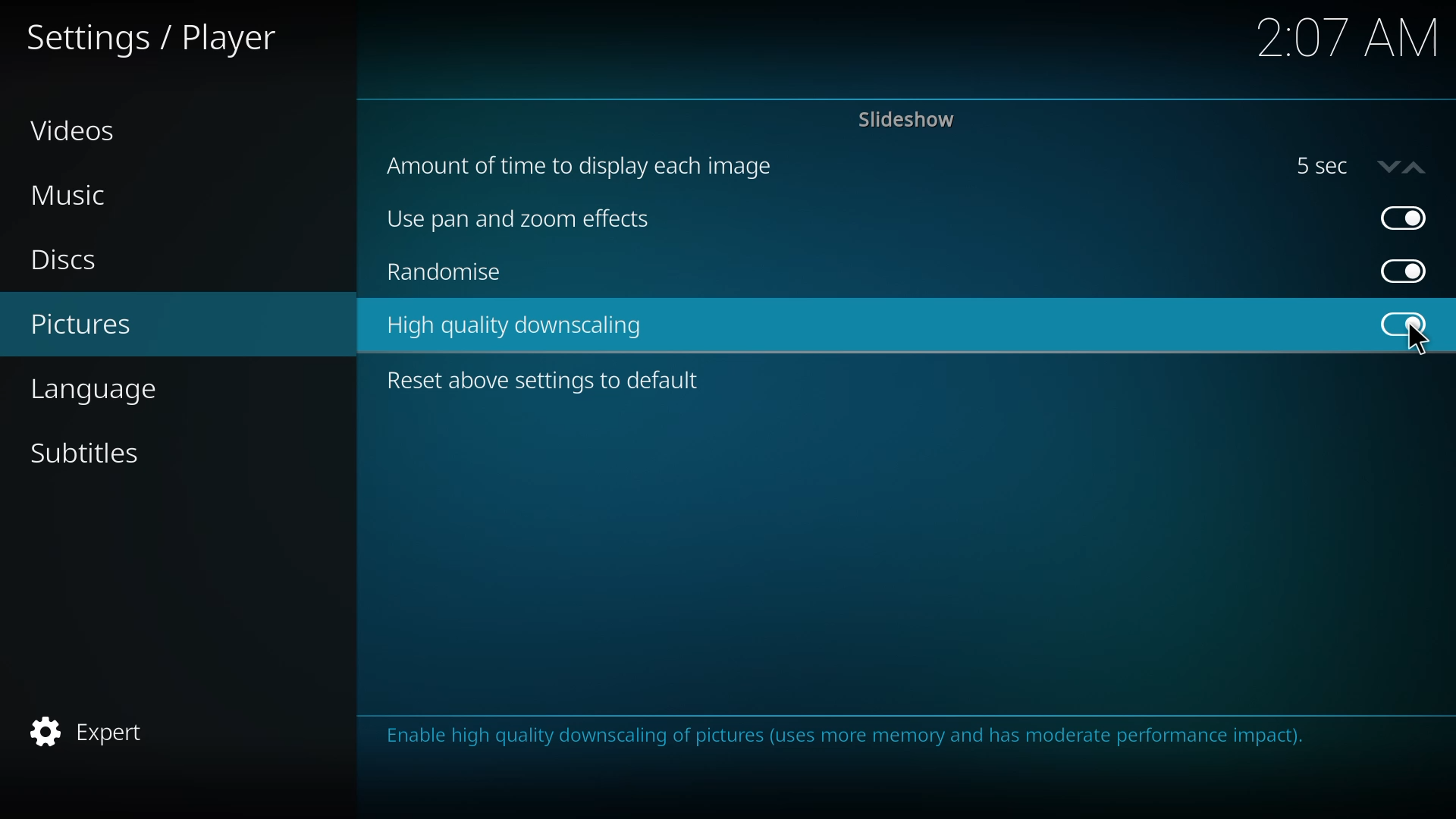 The height and width of the screenshot is (819, 1456). I want to click on 5 sec, so click(1359, 166).